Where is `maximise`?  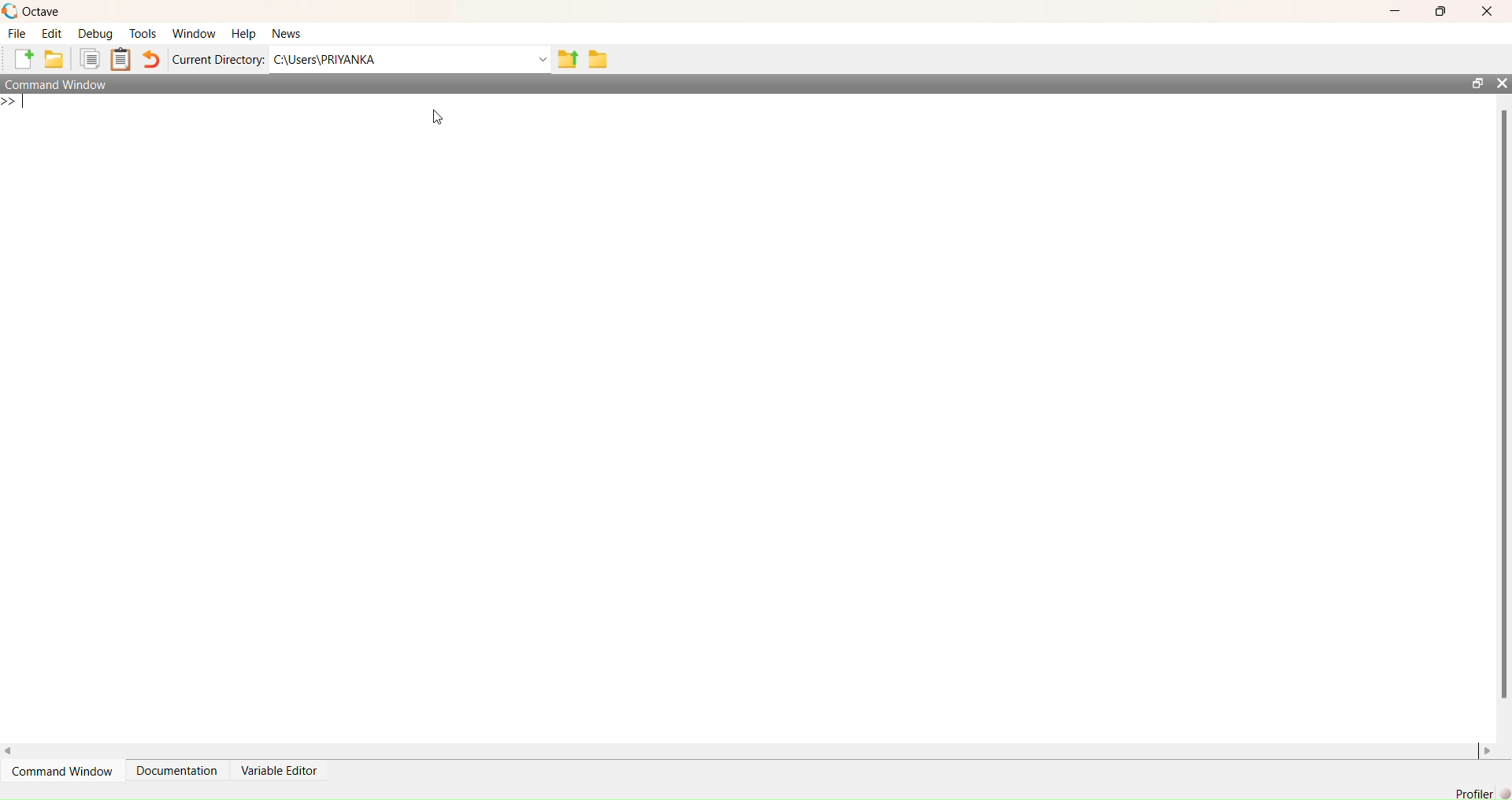
maximise is located at coordinates (1440, 12).